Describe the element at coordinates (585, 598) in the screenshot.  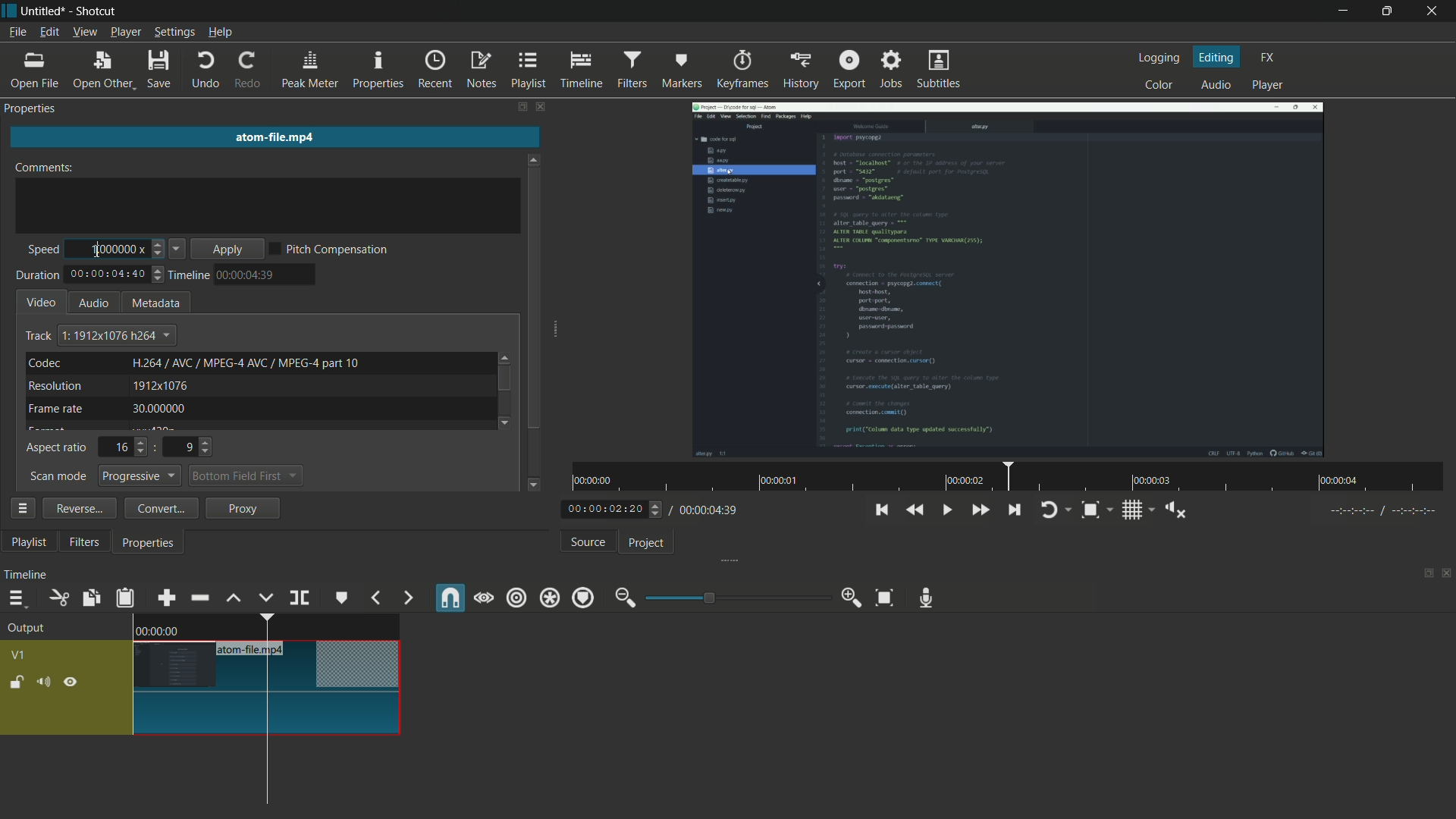
I see `ripple markers` at that location.